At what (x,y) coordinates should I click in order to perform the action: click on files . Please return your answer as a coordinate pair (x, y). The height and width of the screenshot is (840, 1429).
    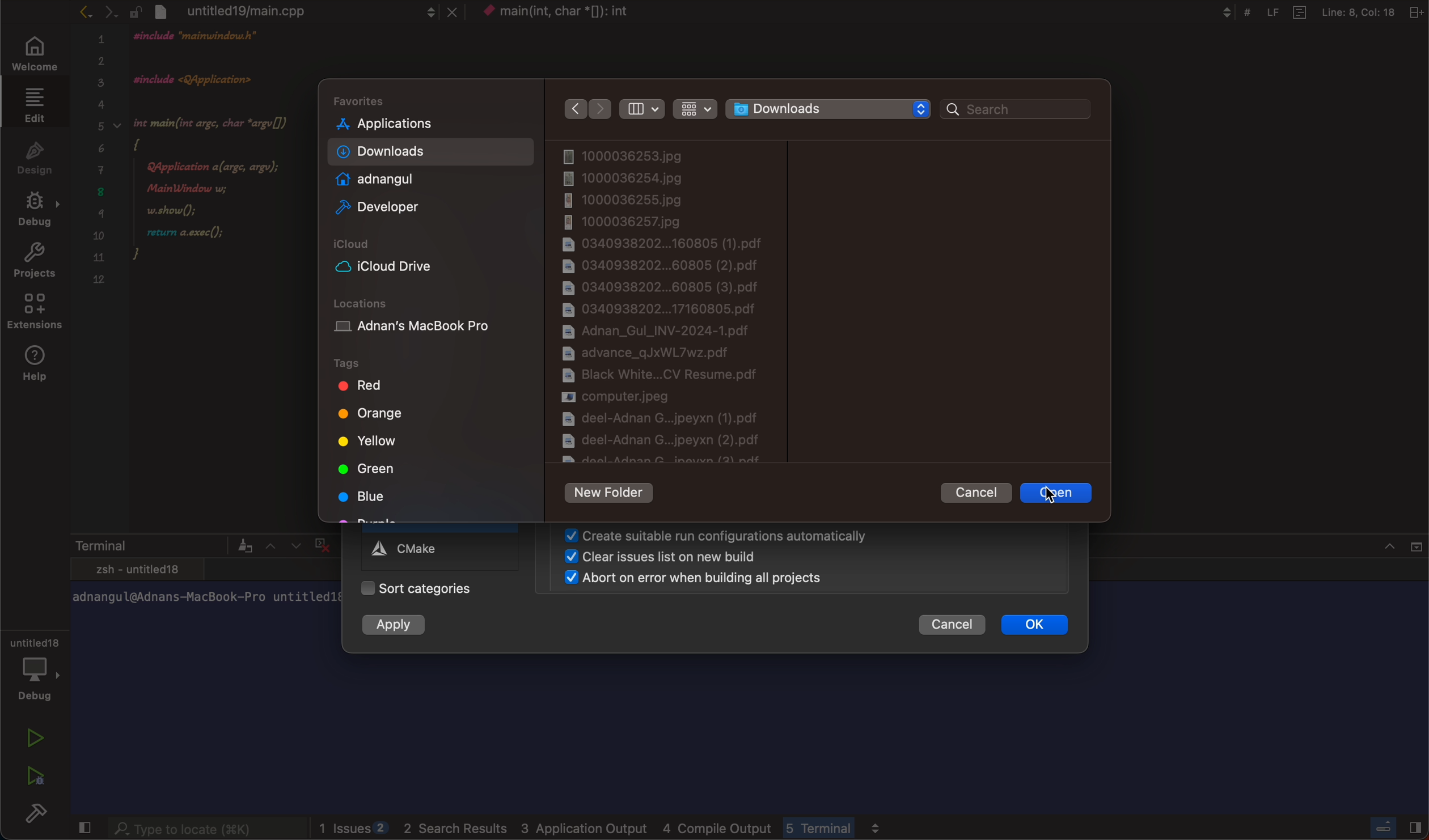
    Looking at the image, I should click on (666, 303).